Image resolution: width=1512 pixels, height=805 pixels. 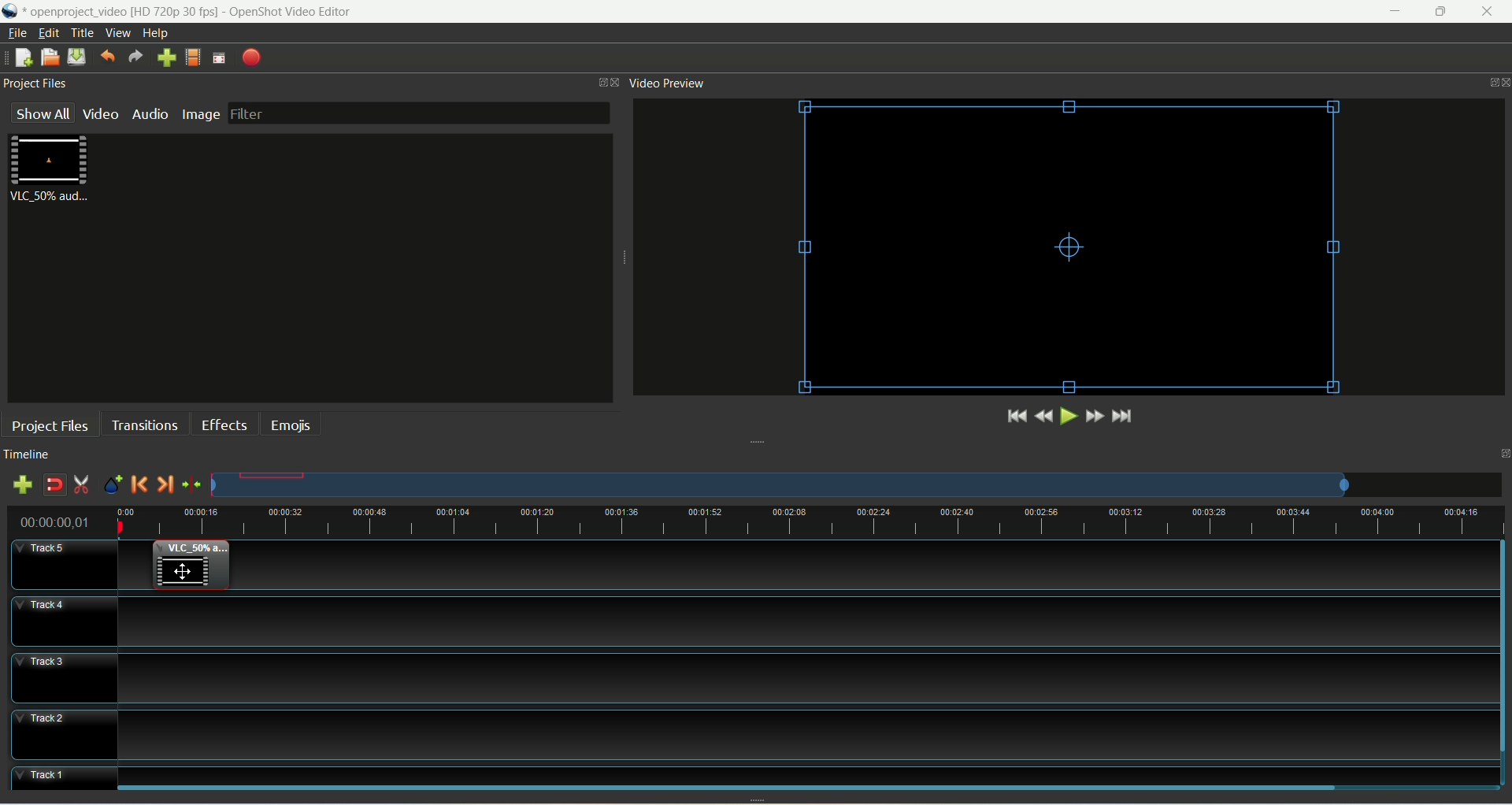 I want to click on zoom factor, so click(x=857, y=484).